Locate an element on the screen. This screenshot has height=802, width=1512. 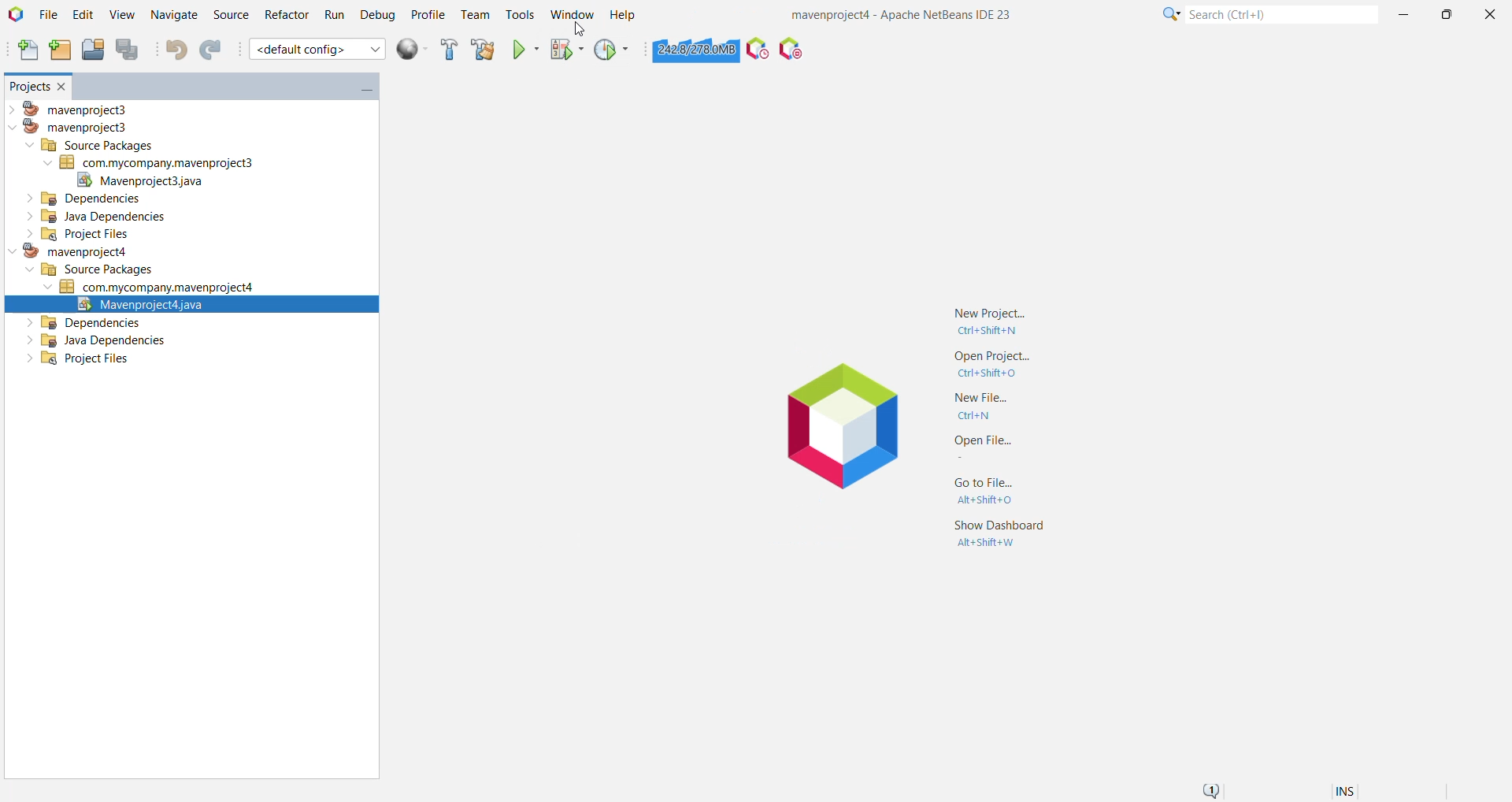
Jave Source Package (com.mycompany.mavenproject4) is located at coordinates (155, 287).